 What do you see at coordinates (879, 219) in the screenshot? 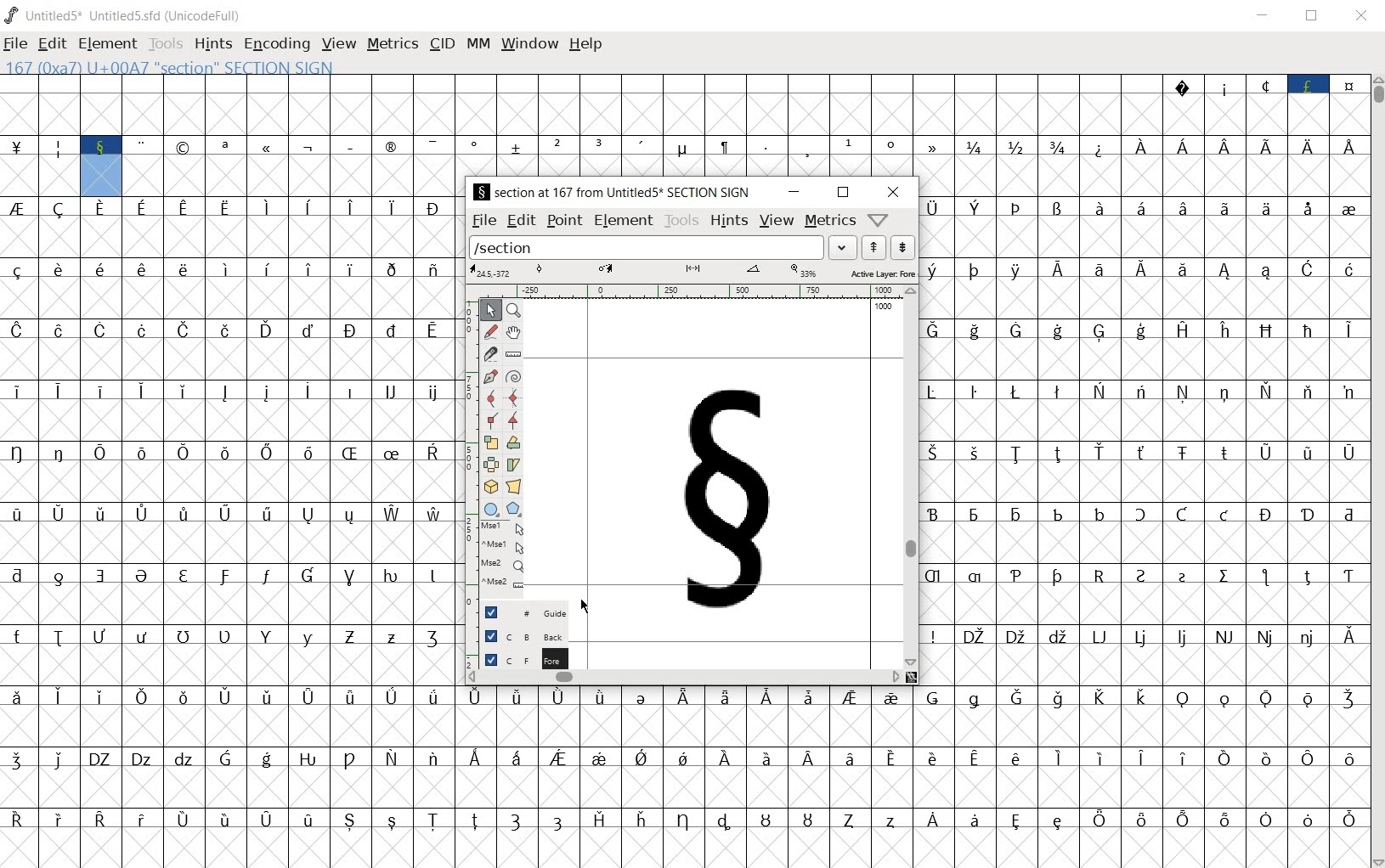
I see `Help/Window` at bounding box center [879, 219].